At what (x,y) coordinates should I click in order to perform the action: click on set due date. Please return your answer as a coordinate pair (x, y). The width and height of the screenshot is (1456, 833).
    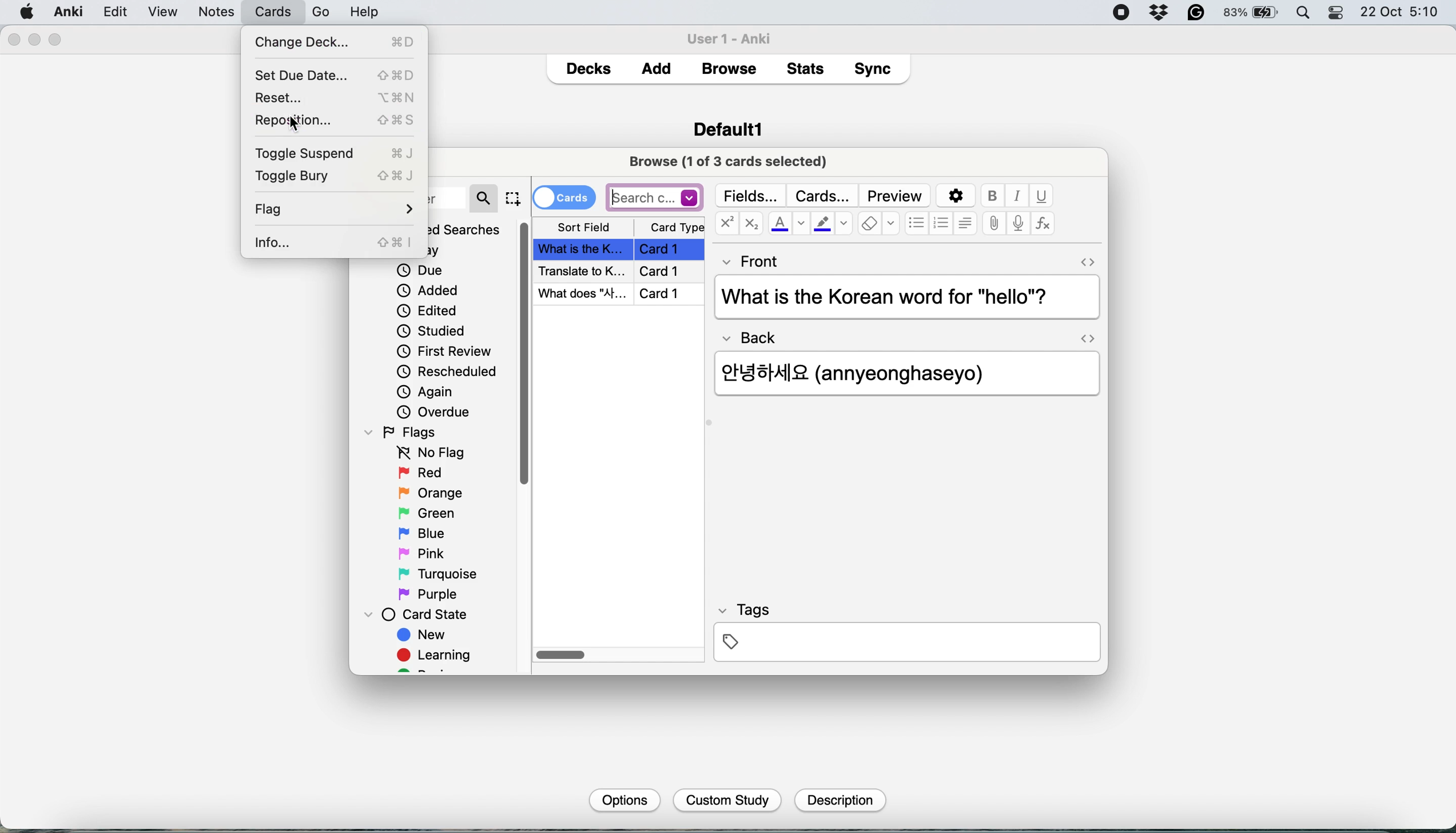
    Looking at the image, I should click on (333, 75).